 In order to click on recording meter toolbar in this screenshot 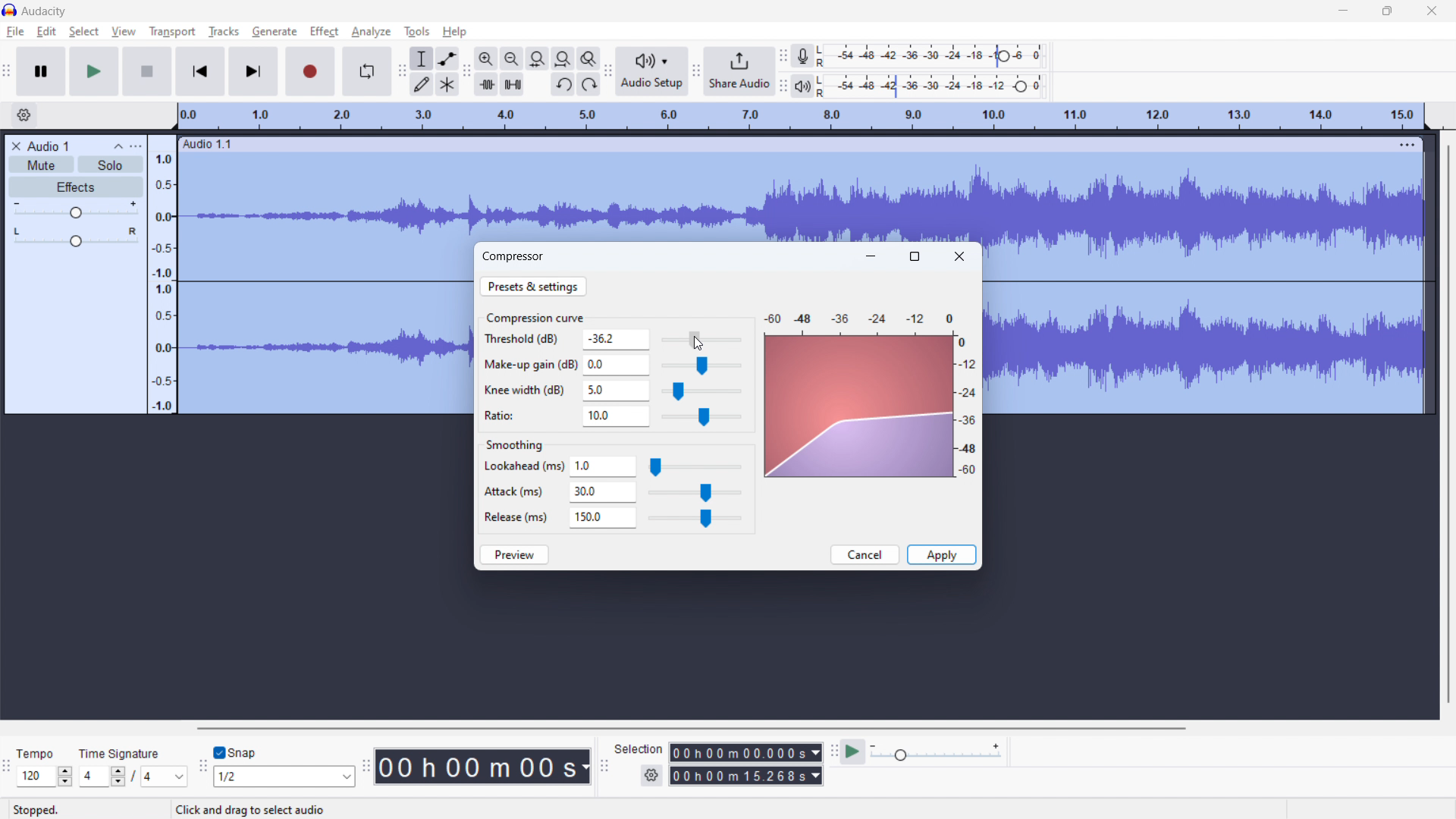, I will do `click(783, 56)`.